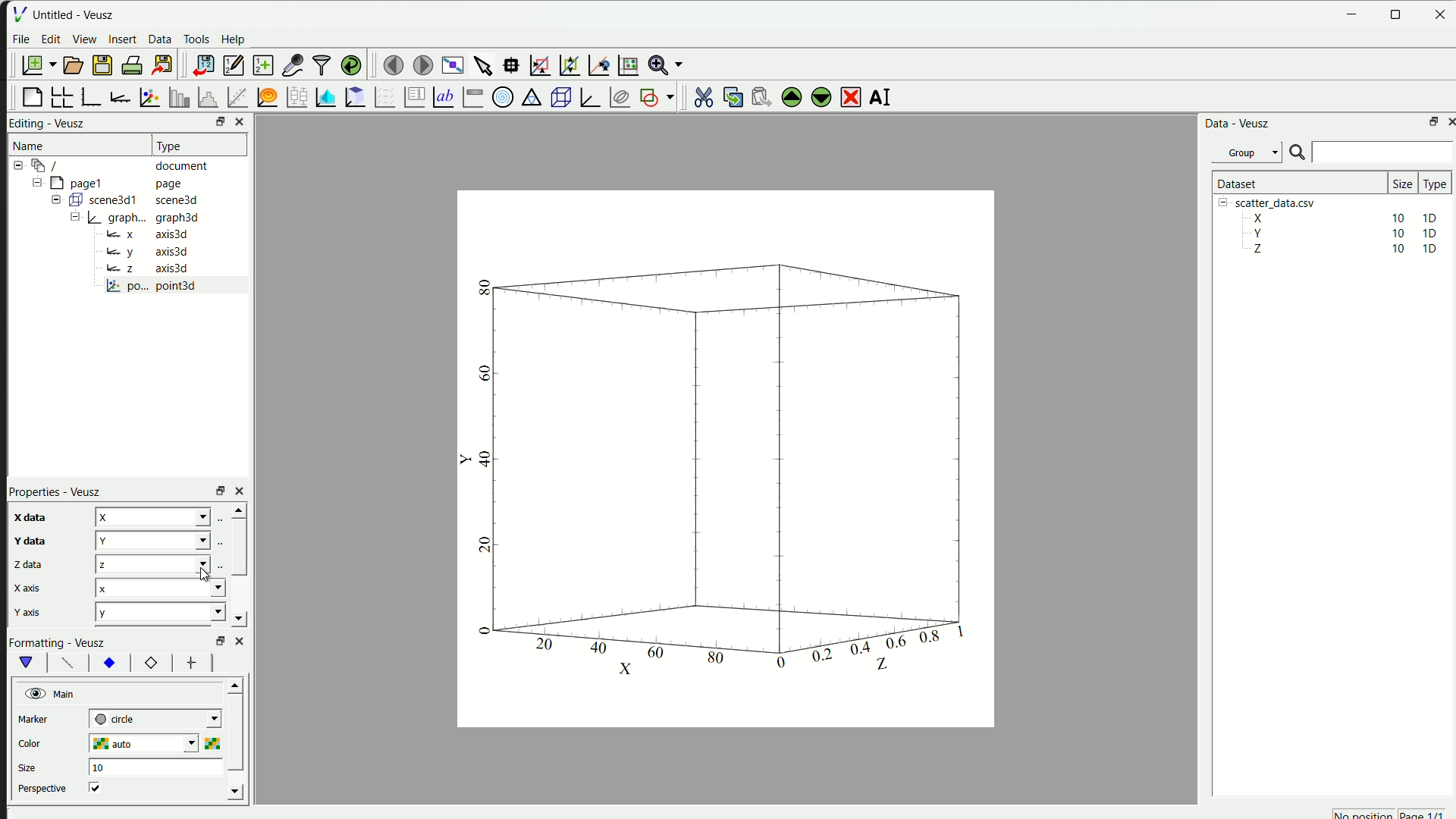 The image size is (1456, 819). I want to click on plot points, so click(147, 98).